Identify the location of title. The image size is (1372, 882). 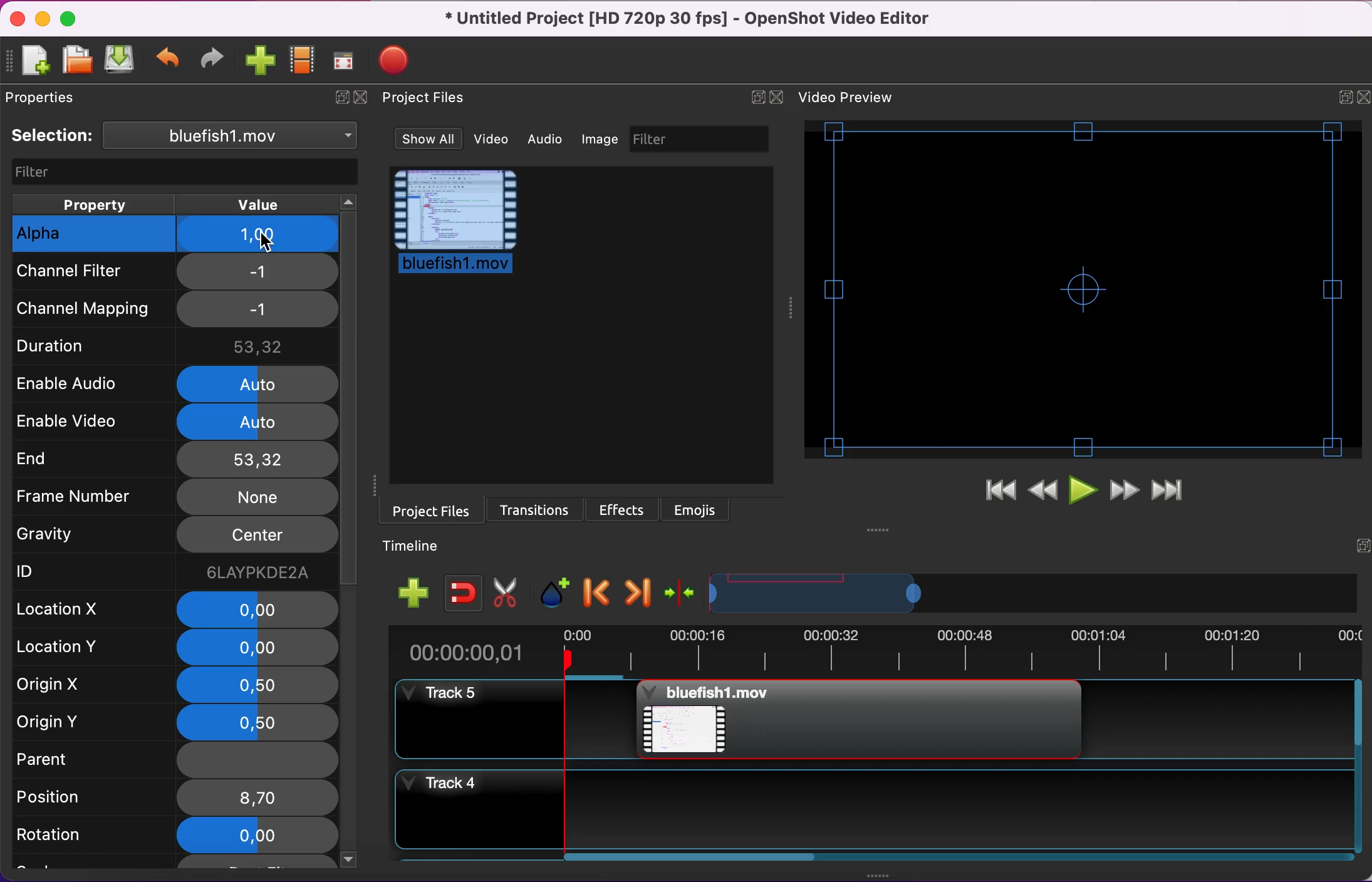
(689, 19).